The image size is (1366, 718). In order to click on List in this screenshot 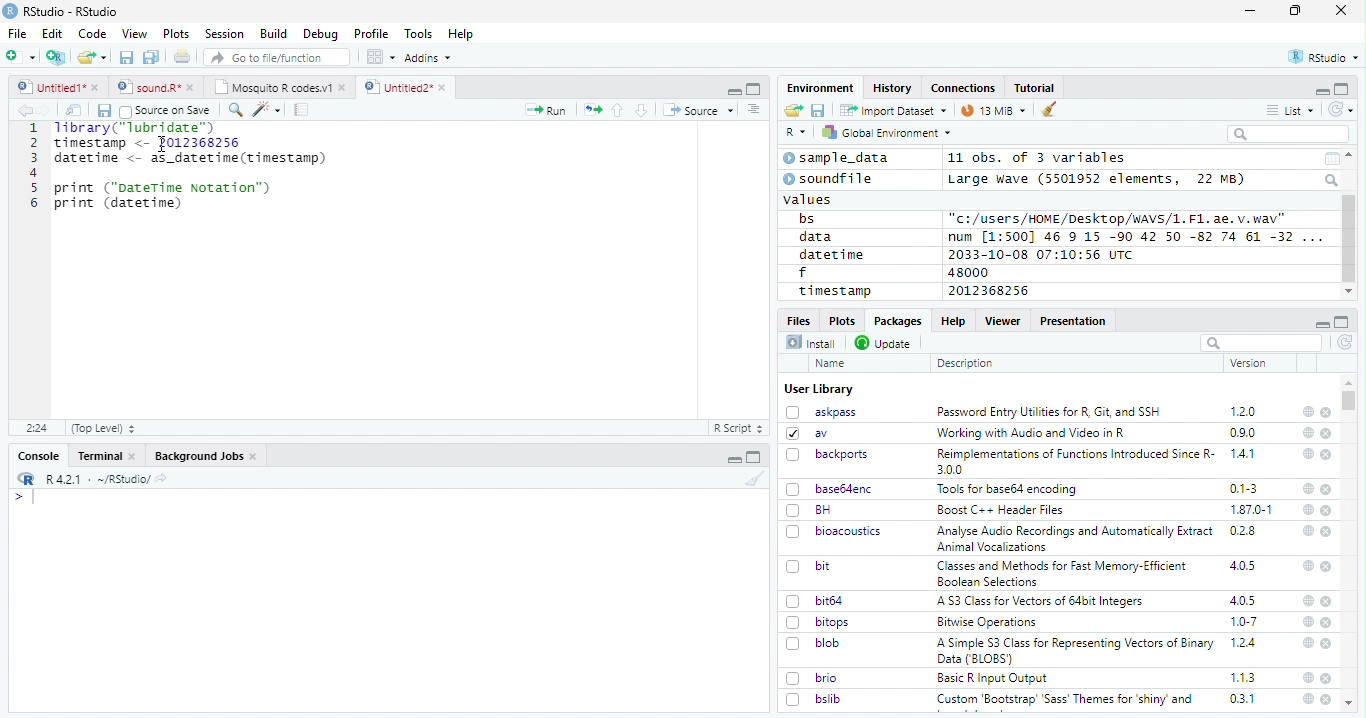, I will do `click(1291, 111)`.